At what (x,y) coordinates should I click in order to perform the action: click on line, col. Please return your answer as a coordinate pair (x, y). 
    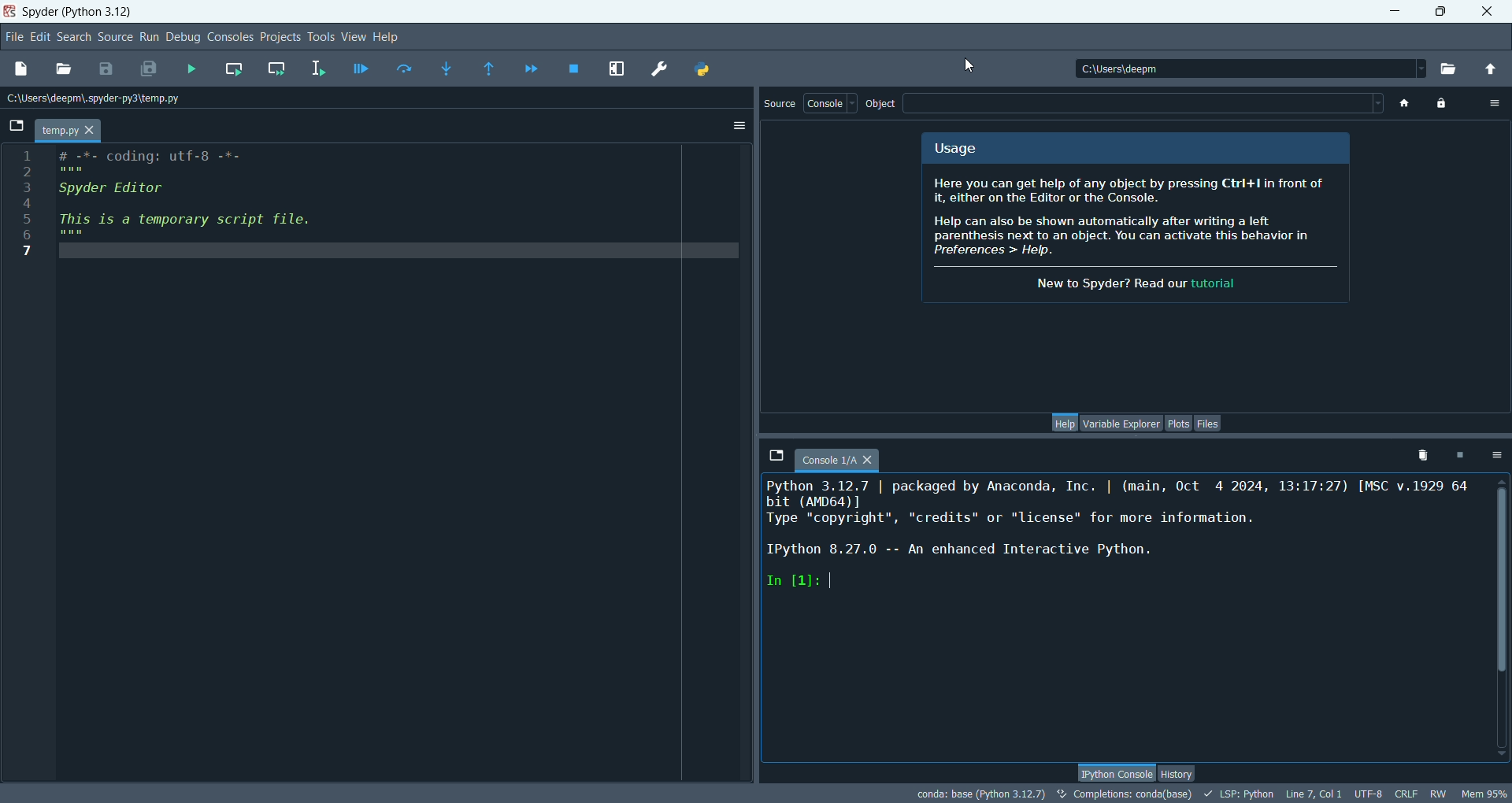
    Looking at the image, I should click on (1317, 794).